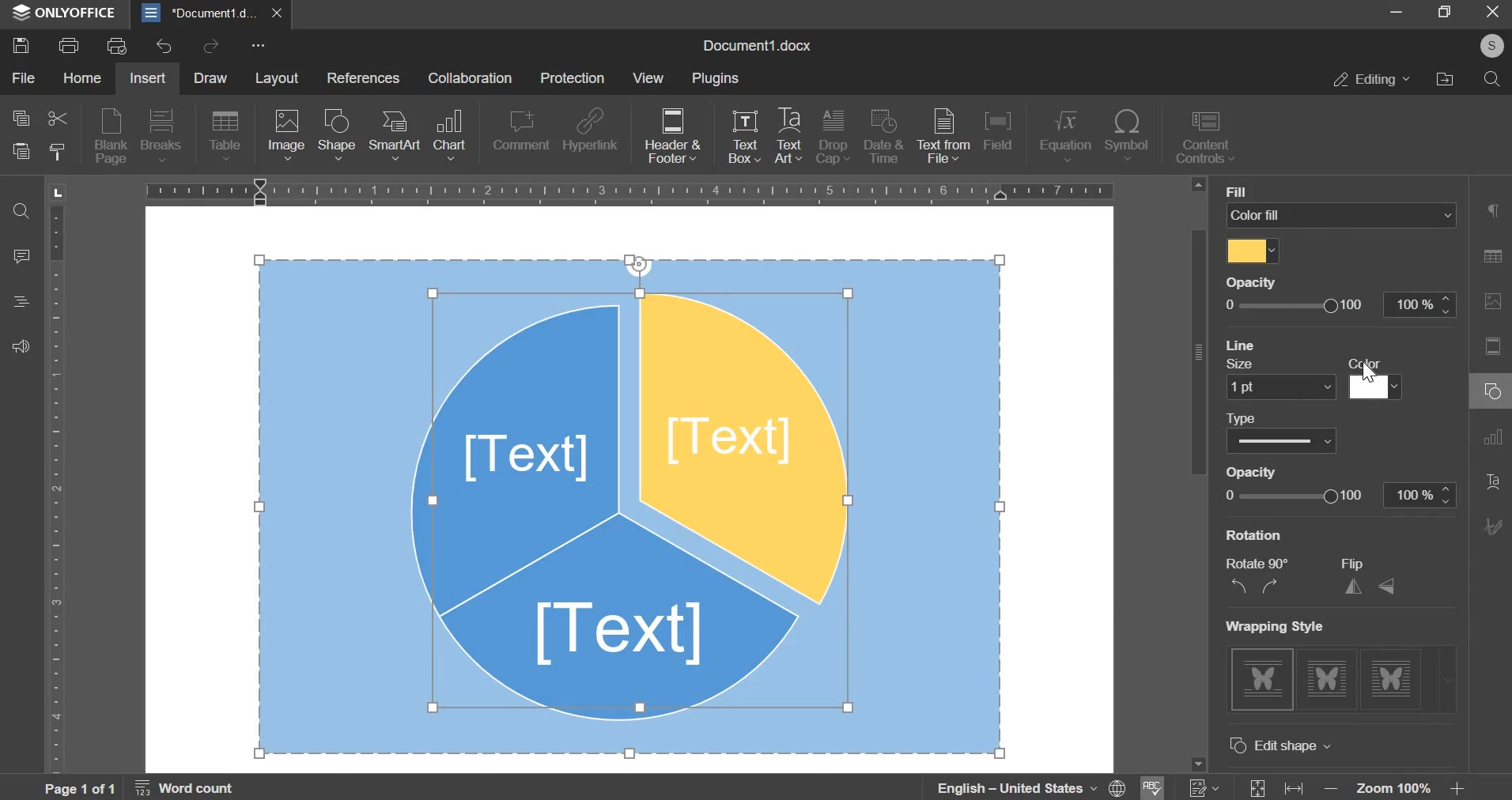 The image size is (1512, 800). What do you see at coordinates (833, 139) in the screenshot?
I see `drop cap` at bounding box center [833, 139].